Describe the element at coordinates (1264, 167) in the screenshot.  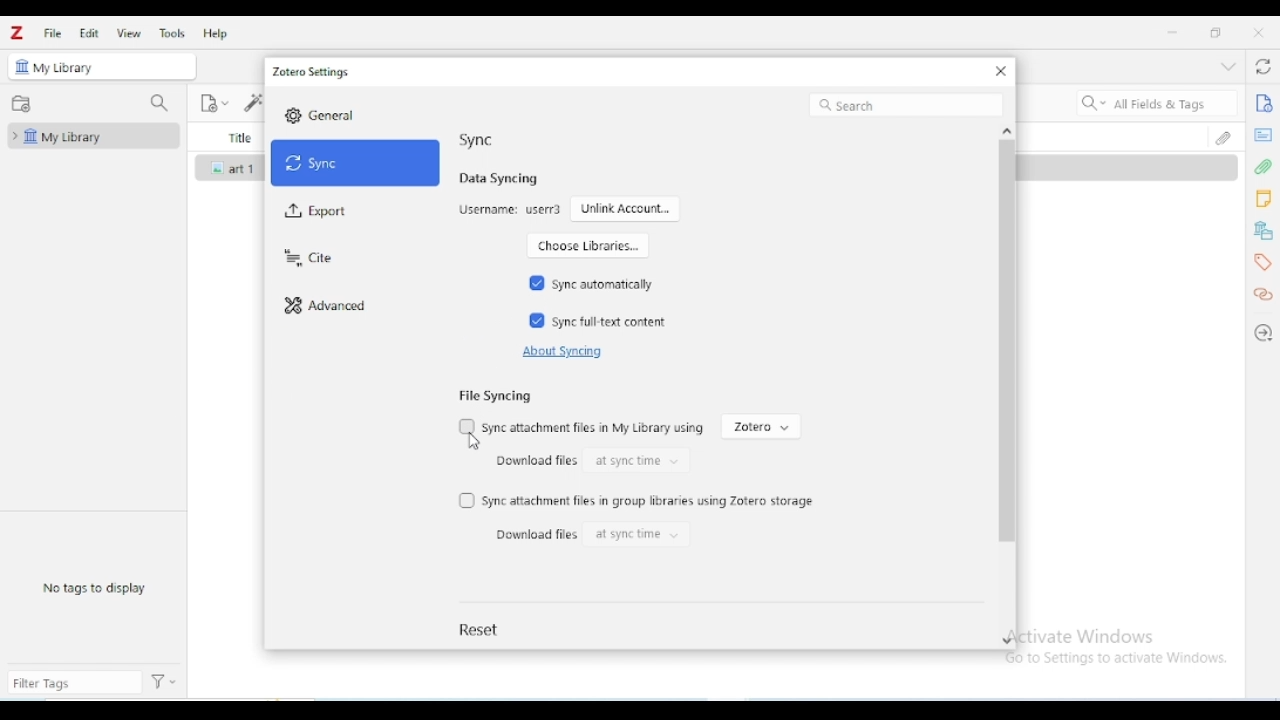
I see `attachments` at that location.